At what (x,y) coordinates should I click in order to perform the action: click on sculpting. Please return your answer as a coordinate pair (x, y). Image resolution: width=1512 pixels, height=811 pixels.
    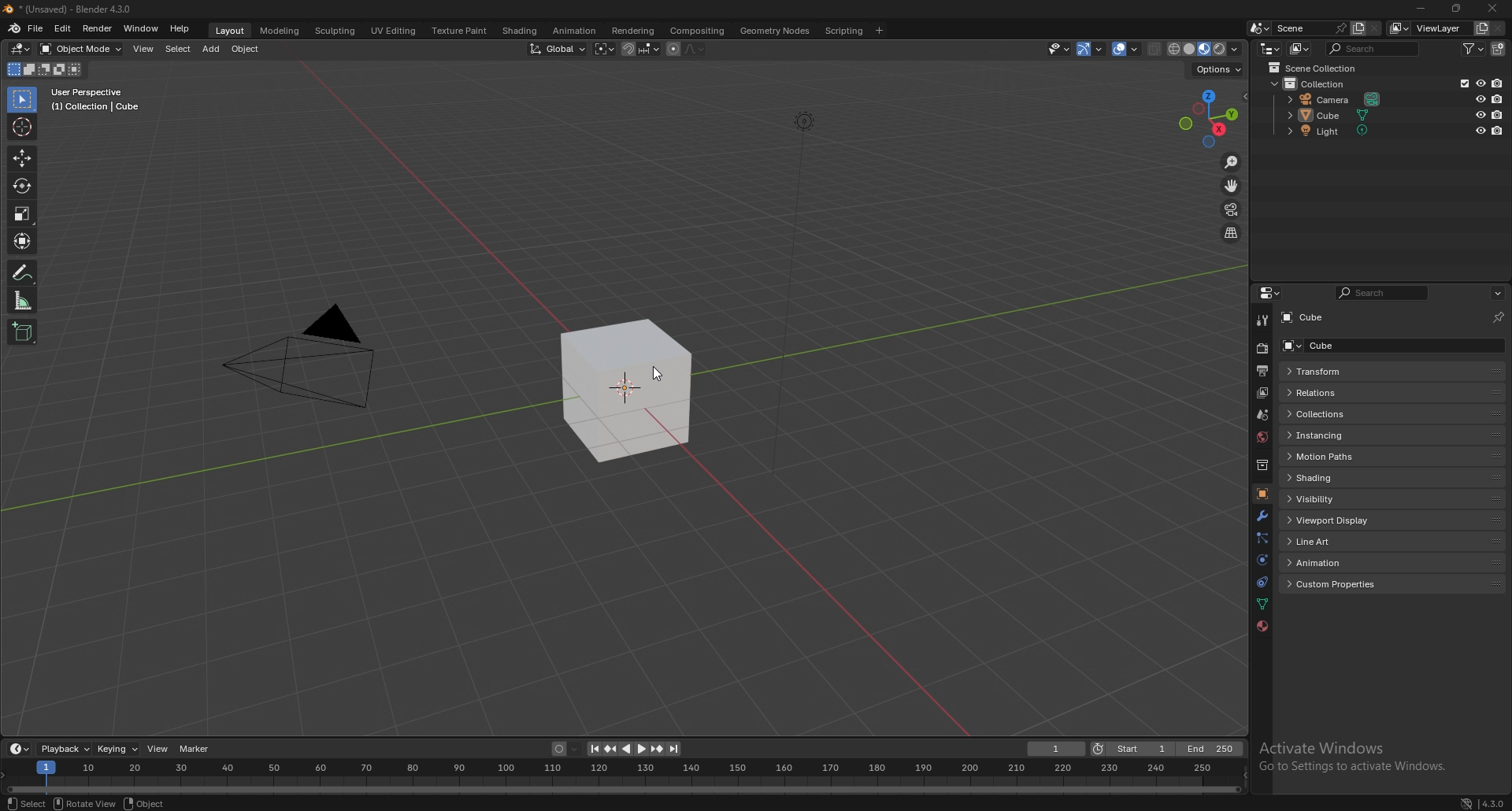
    Looking at the image, I should click on (336, 31).